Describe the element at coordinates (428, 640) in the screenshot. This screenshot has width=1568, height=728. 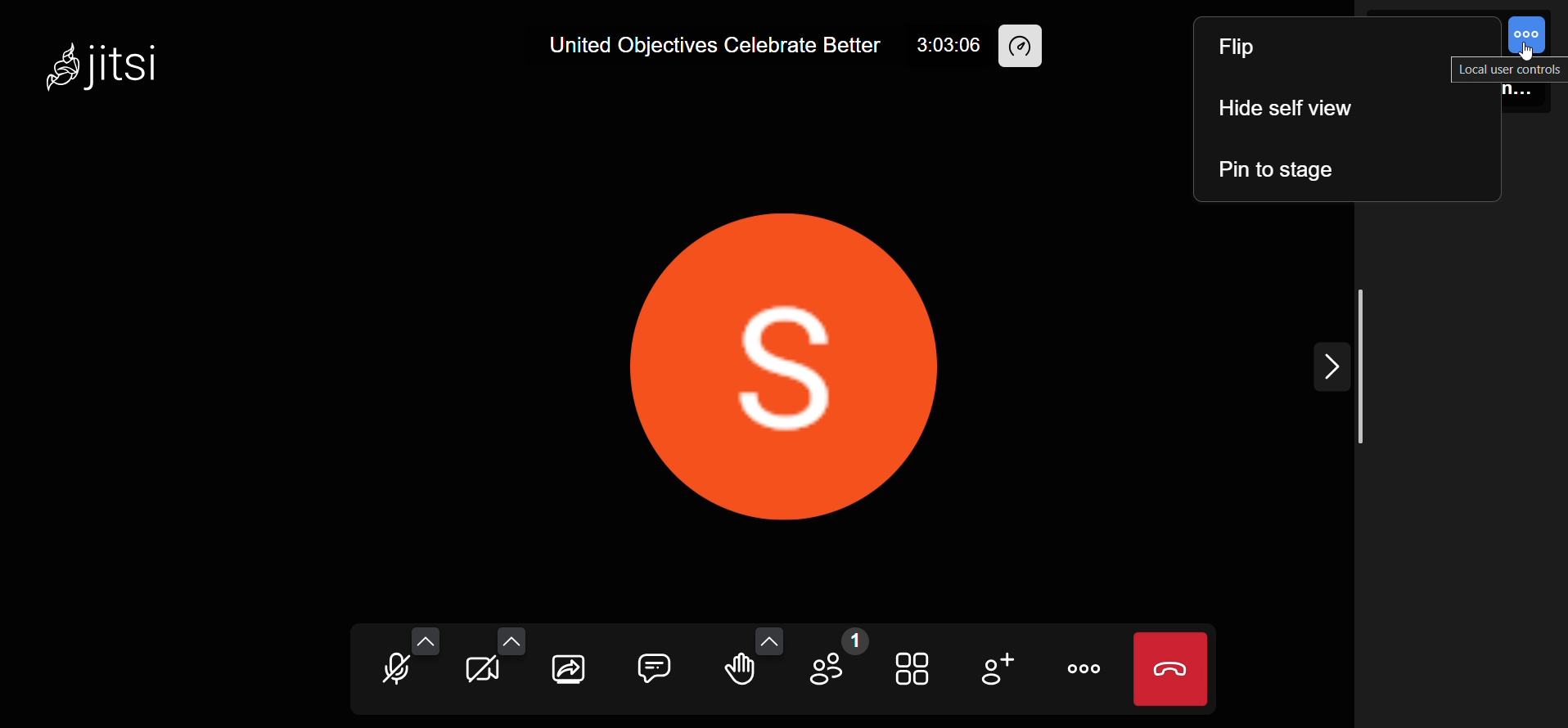
I see `more audio option` at that location.